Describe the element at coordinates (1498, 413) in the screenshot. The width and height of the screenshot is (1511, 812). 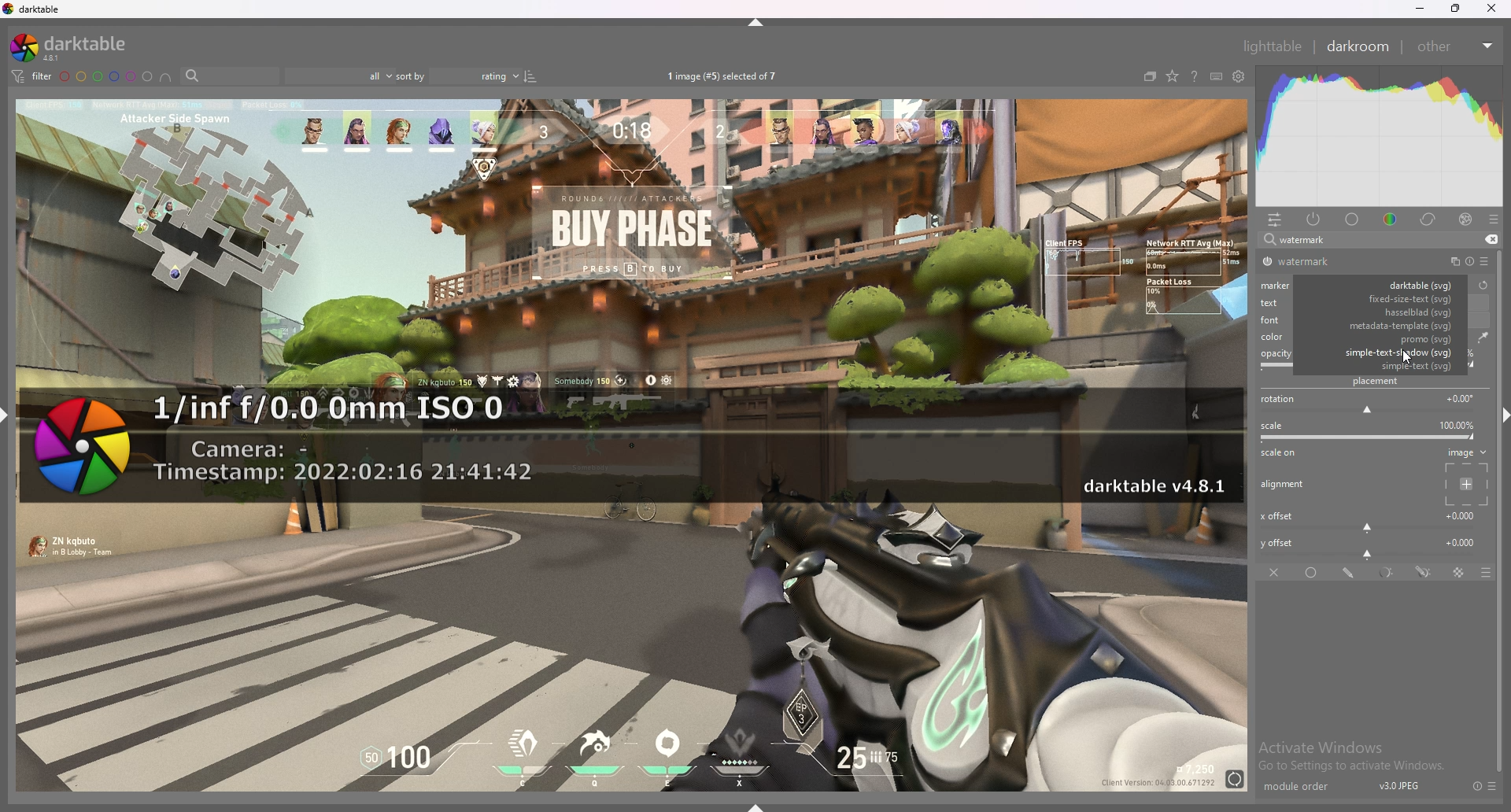
I see `hide` at that location.